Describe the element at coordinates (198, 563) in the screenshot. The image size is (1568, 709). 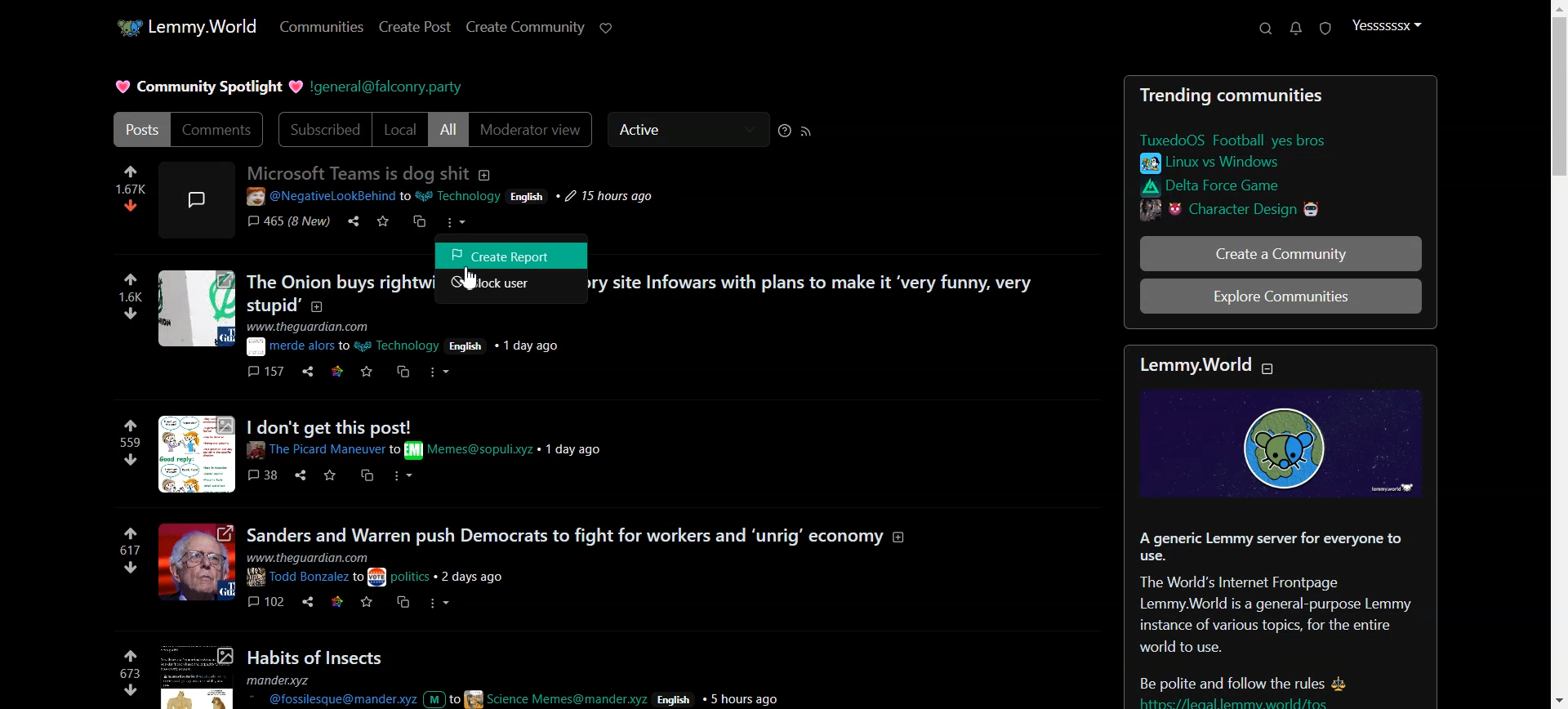
I see `image` at that location.